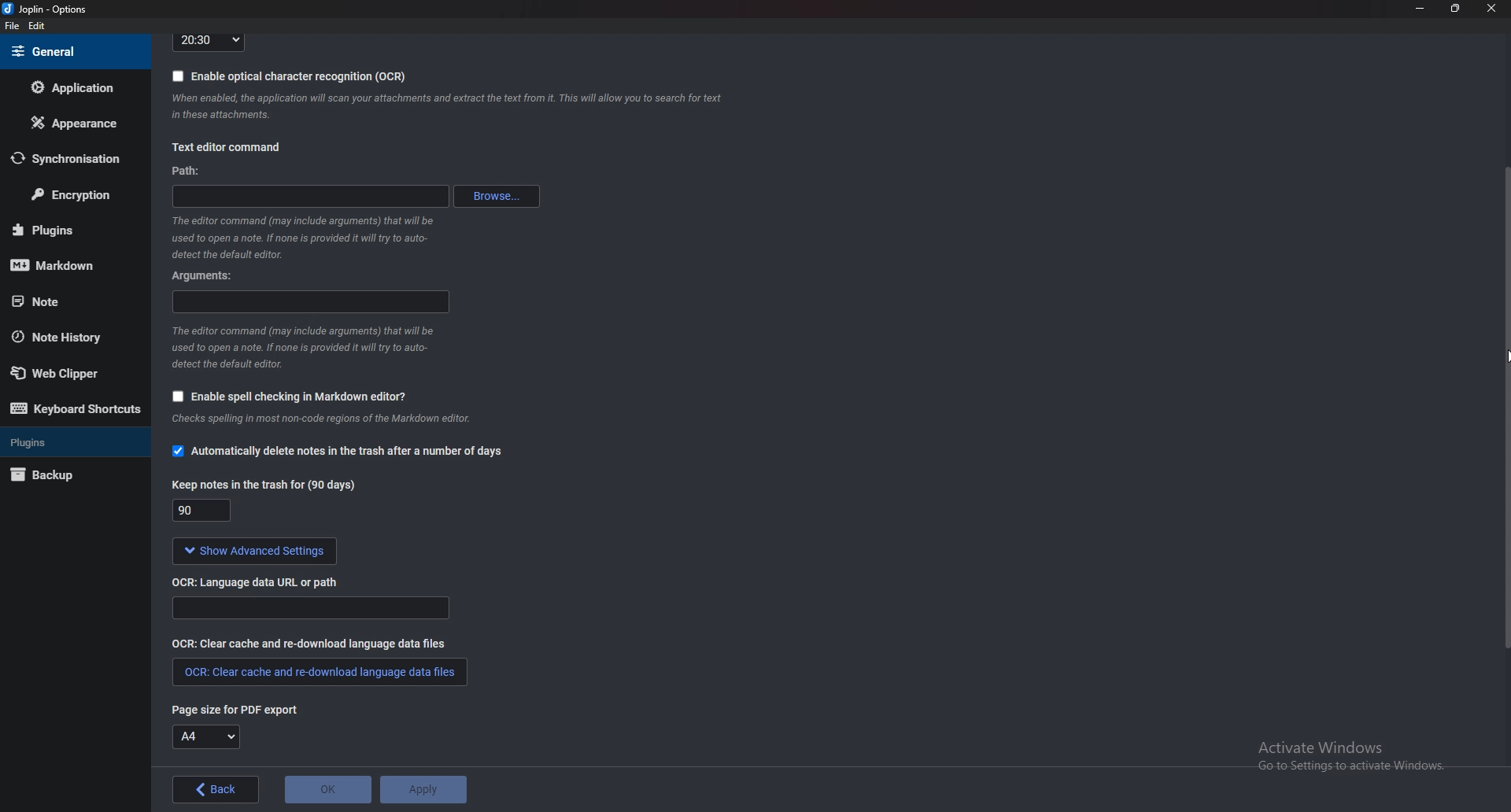 This screenshot has height=812, width=1511. What do you see at coordinates (1502, 354) in the screenshot?
I see `cursor` at bounding box center [1502, 354].